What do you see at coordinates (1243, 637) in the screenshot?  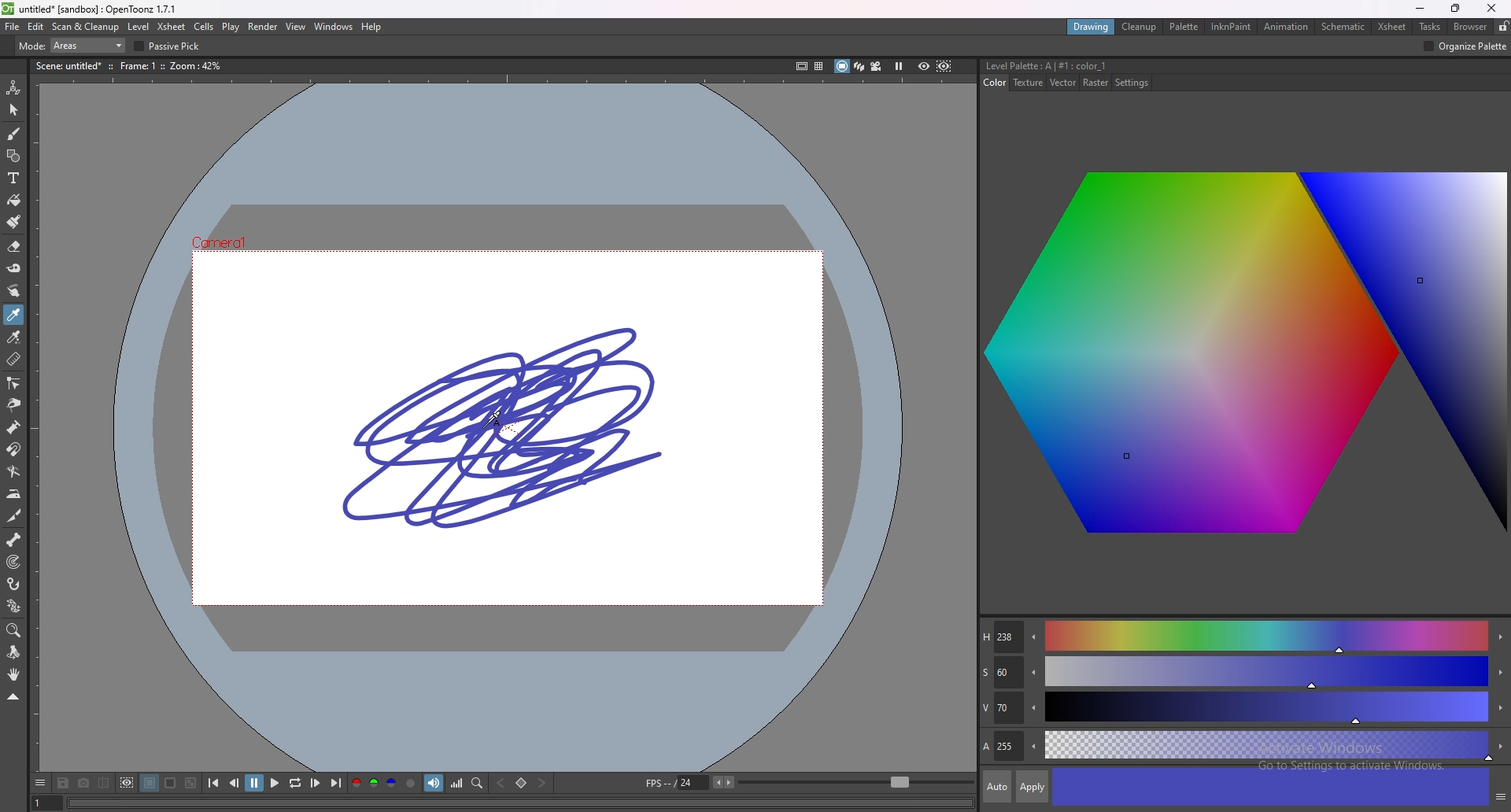 I see `hue` at bounding box center [1243, 637].